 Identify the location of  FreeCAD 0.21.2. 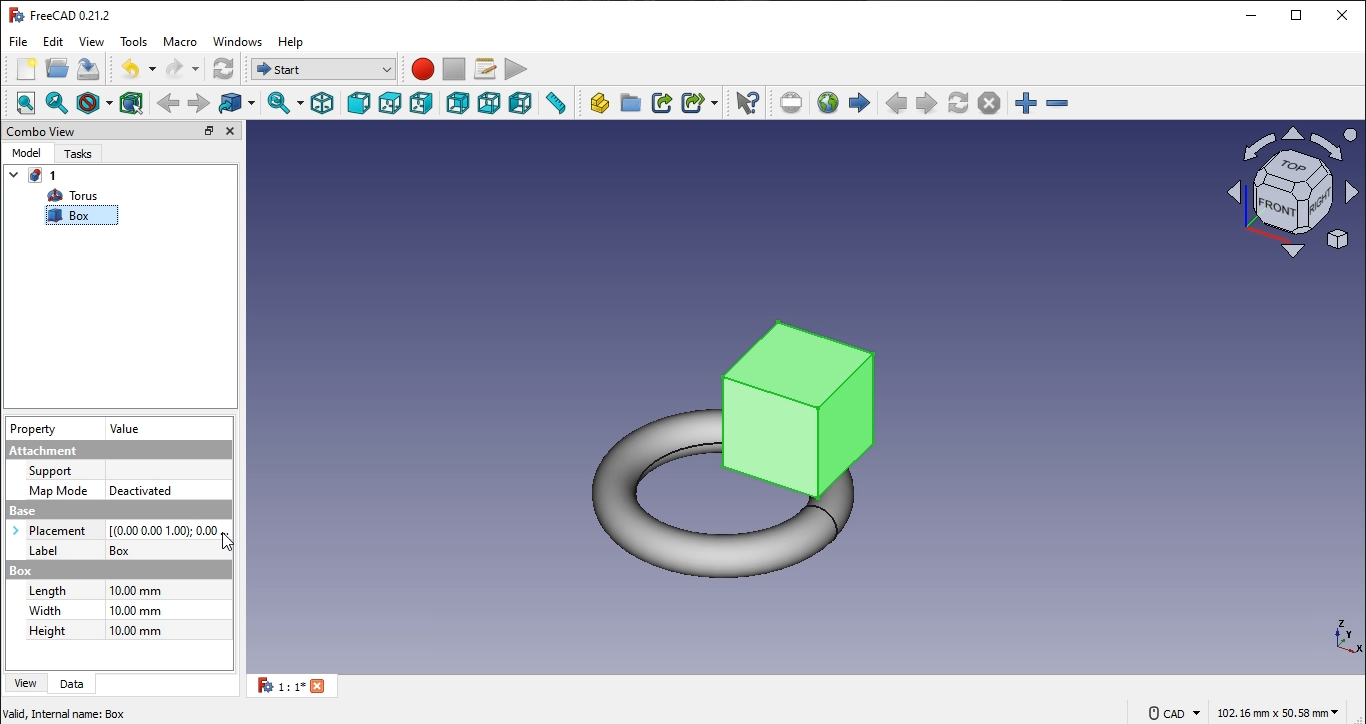
(61, 13).